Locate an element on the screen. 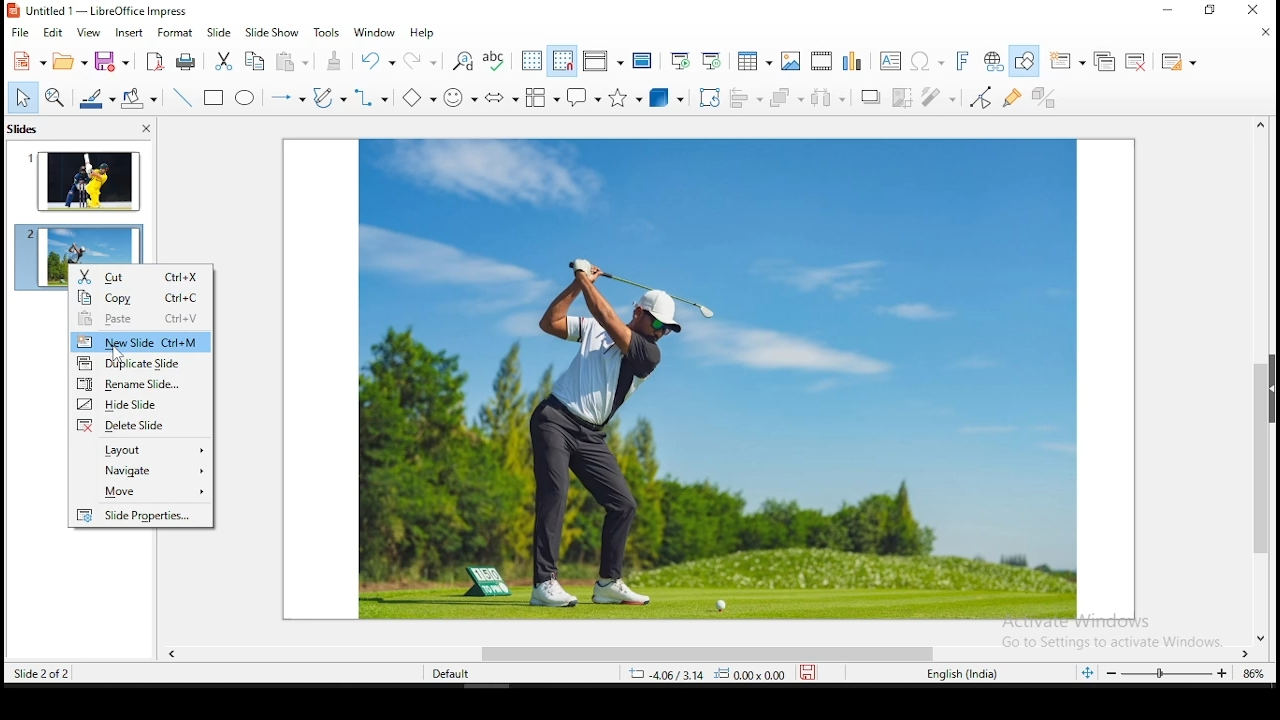 The width and height of the screenshot is (1280, 720). New slide is located at coordinates (141, 340).